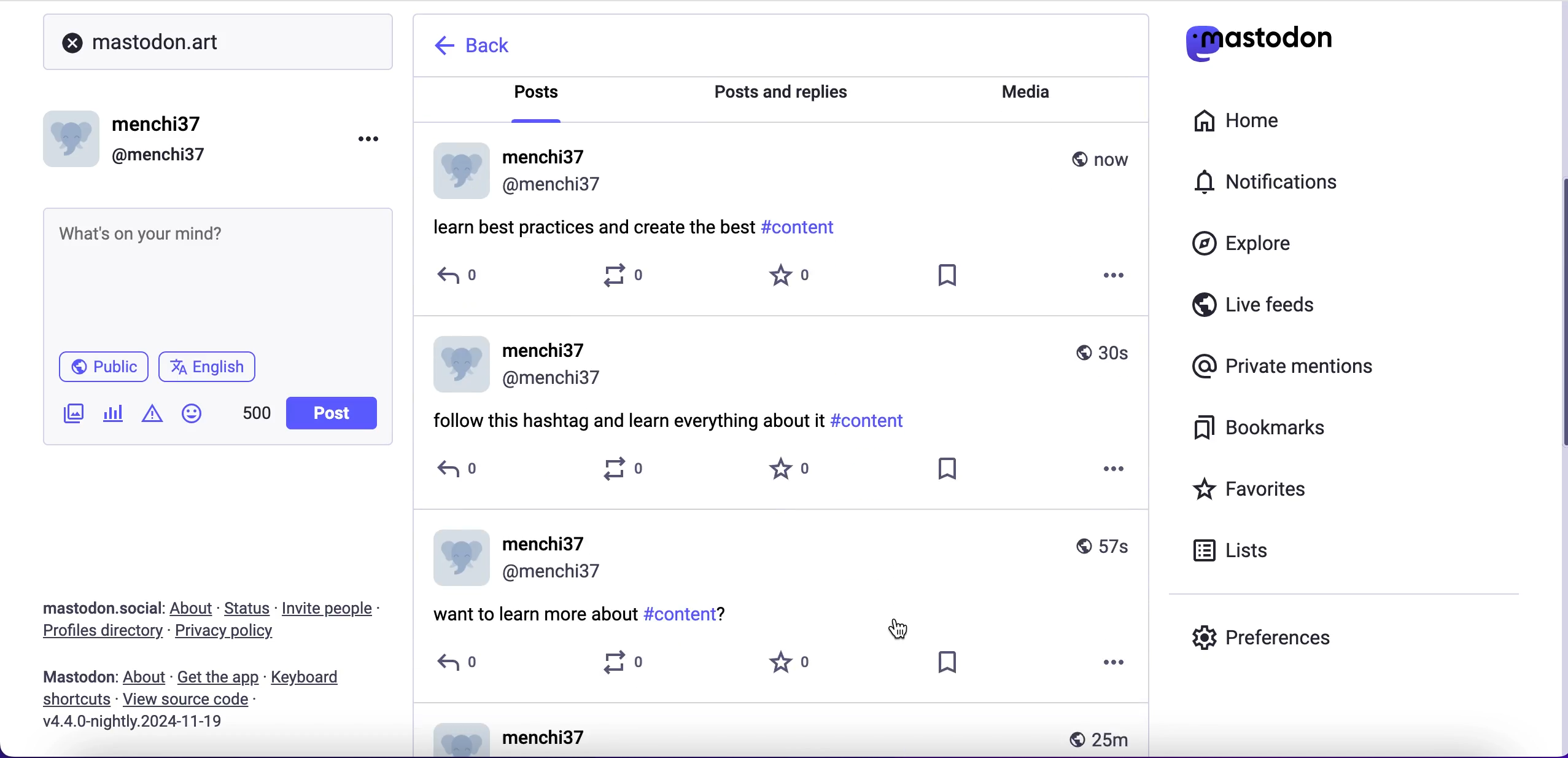  What do you see at coordinates (1266, 635) in the screenshot?
I see `preferences` at bounding box center [1266, 635].